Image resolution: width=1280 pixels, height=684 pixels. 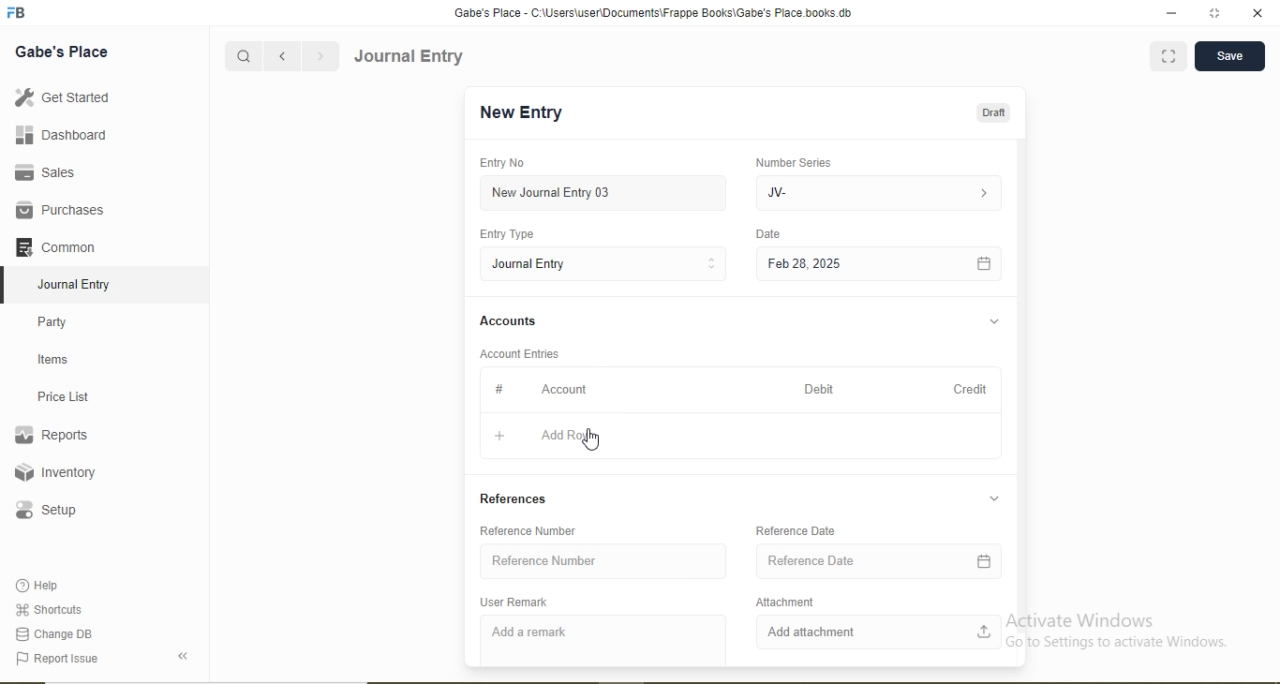 I want to click on Logo, so click(x=17, y=13).